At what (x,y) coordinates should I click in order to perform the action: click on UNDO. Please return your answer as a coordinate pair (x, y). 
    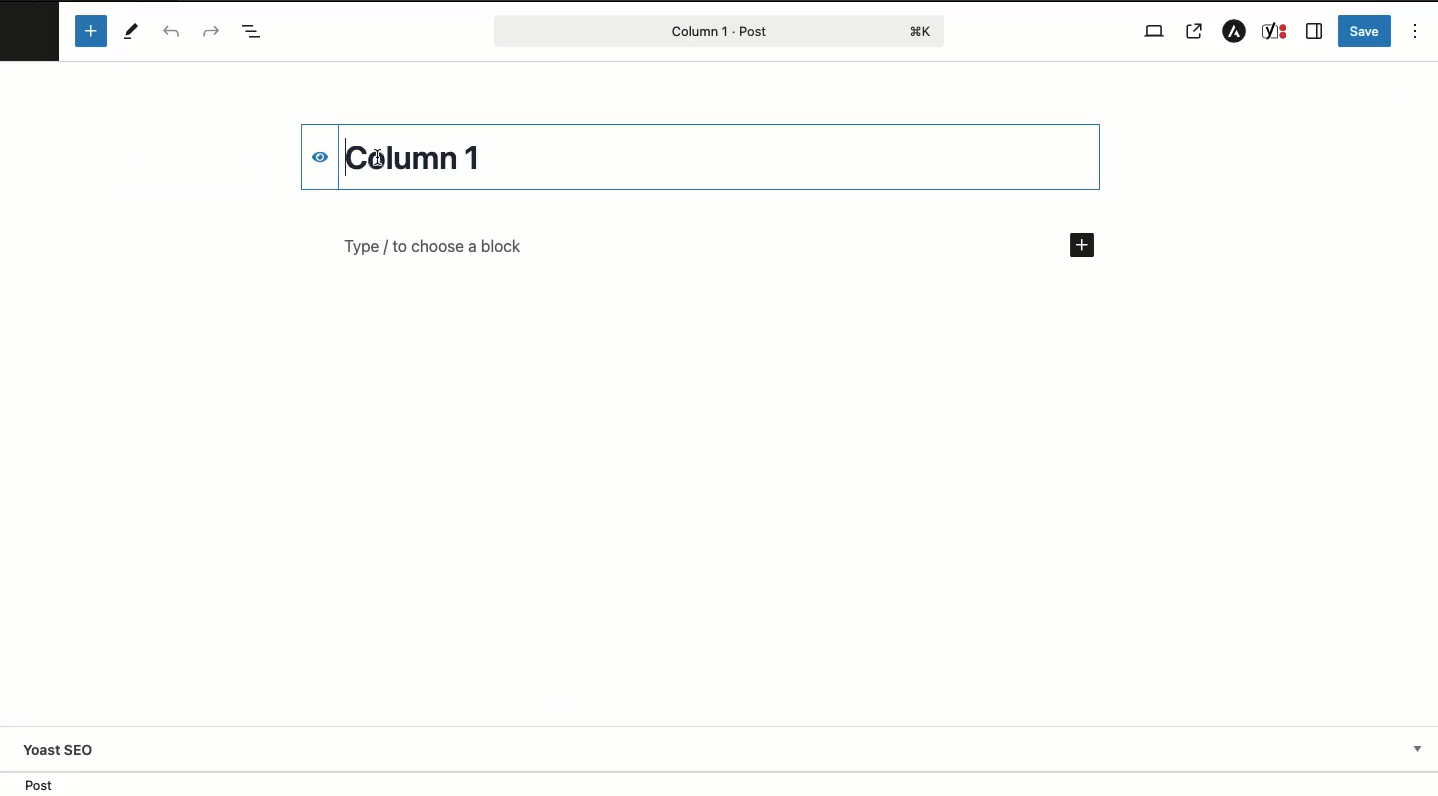
    Looking at the image, I should click on (171, 33).